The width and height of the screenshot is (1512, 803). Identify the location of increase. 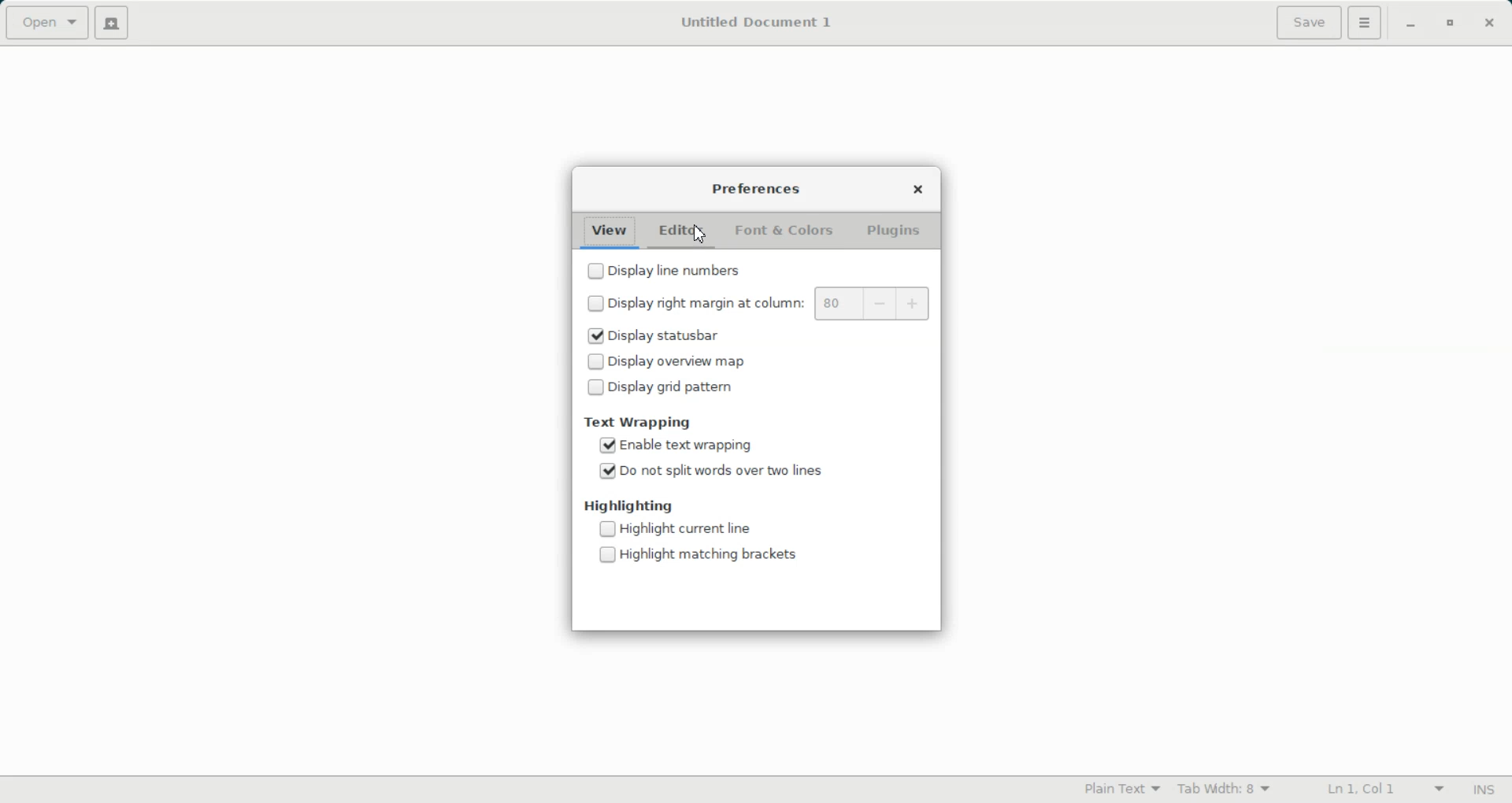
(915, 304).